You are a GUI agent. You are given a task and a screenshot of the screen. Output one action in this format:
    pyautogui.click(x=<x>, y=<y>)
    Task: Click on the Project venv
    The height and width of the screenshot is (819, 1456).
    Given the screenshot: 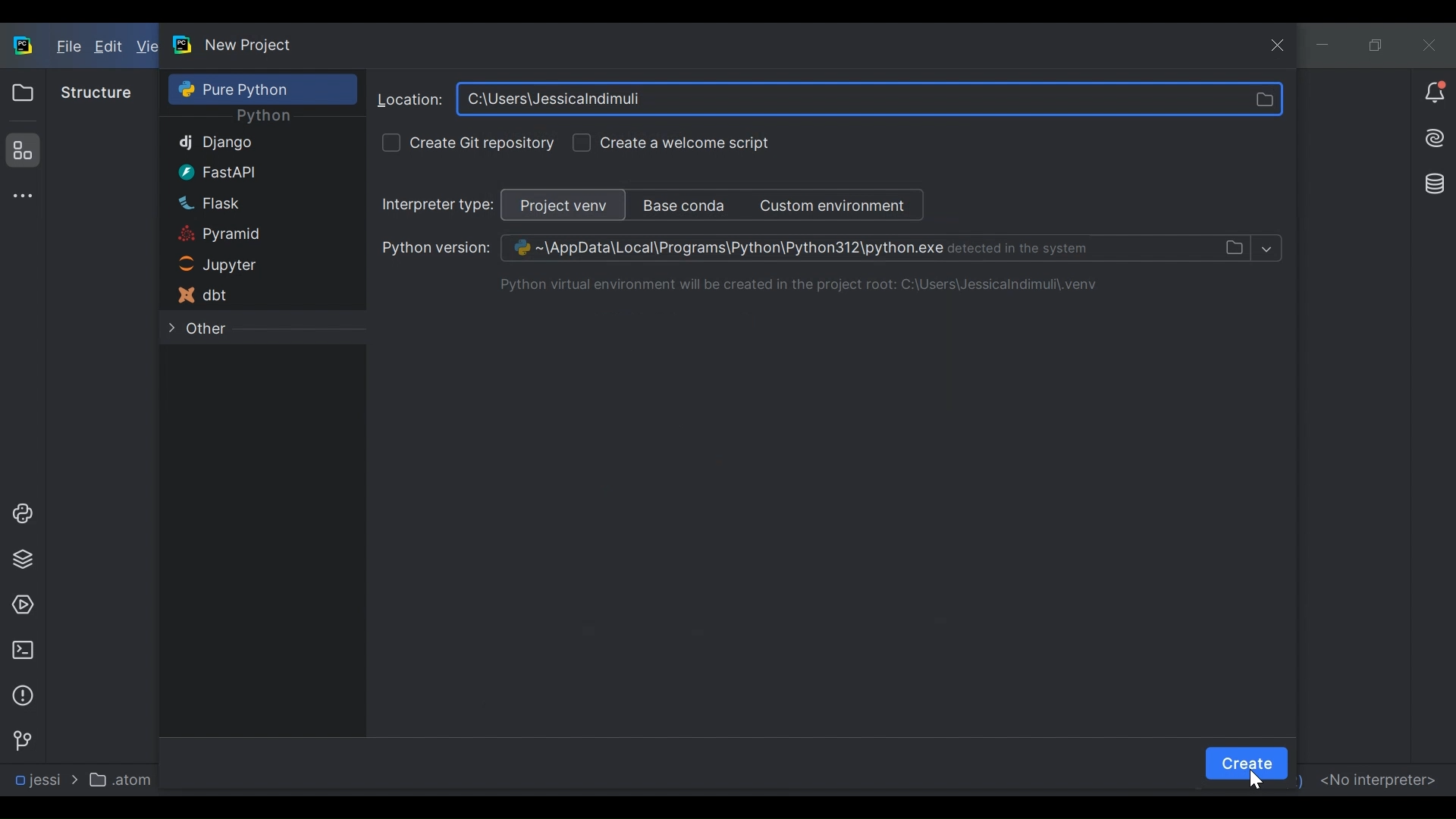 What is the action you would take?
    pyautogui.click(x=563, y=205)
    